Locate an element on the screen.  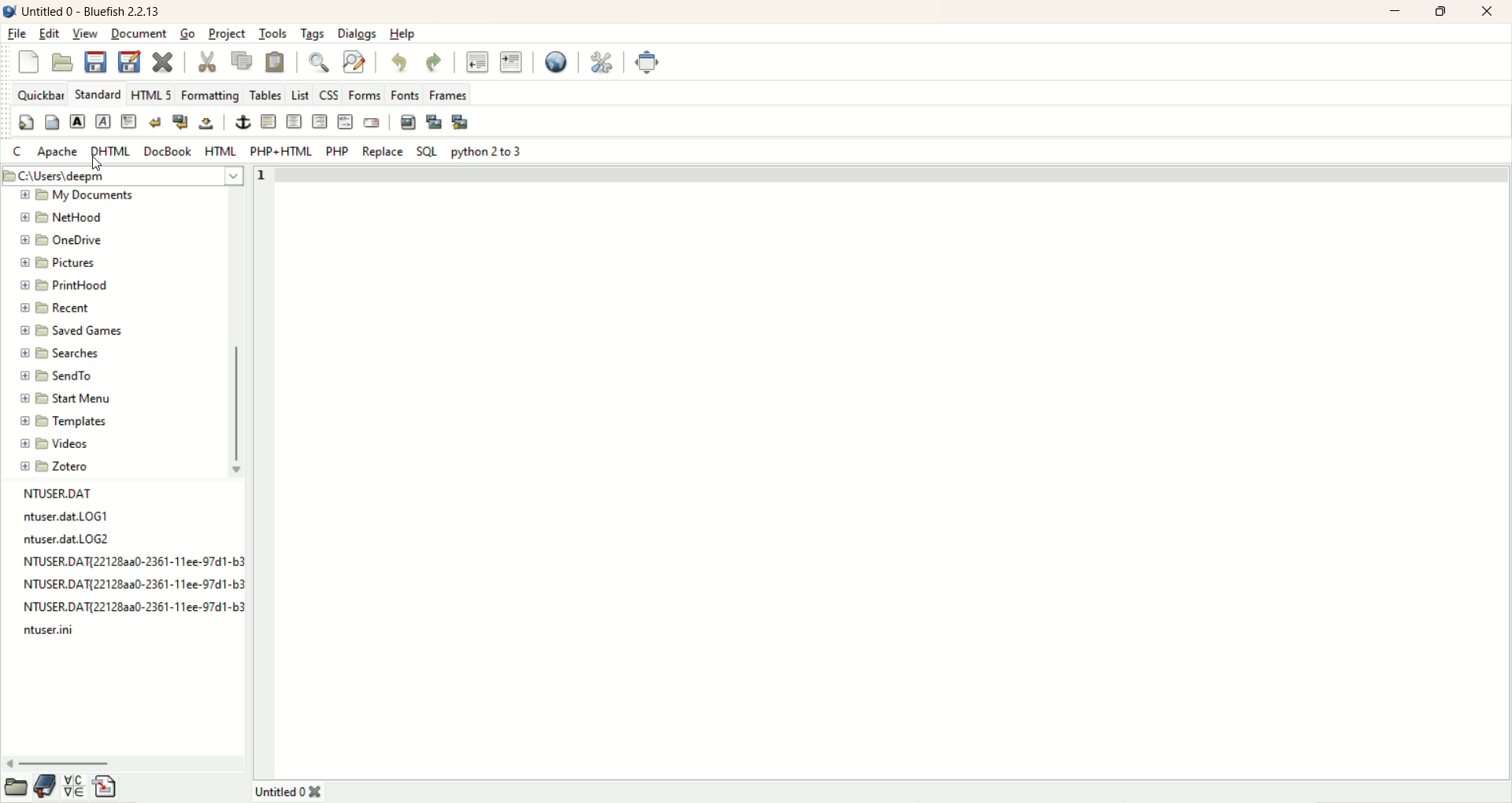
right justify is located at coordinates (319, 121).